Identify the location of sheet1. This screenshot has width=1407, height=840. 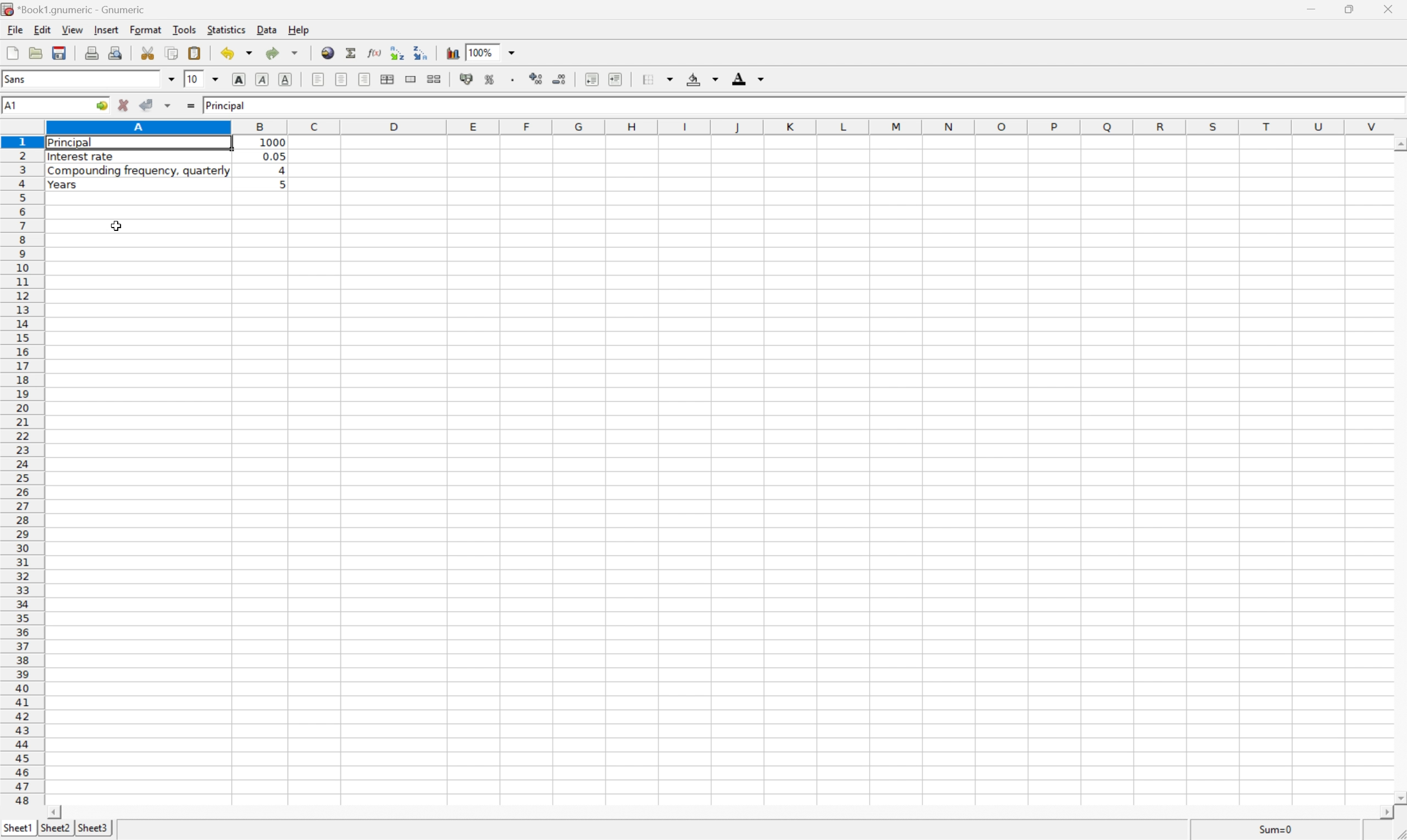
(17, 829).